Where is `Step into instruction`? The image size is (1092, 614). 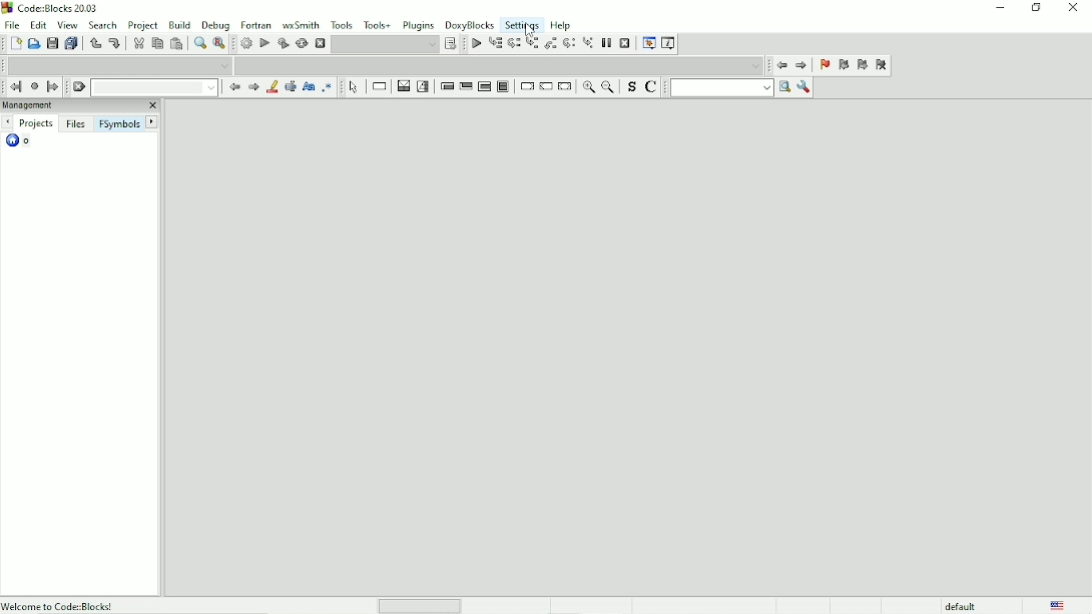
Step into instruction is located at coordinates (588, 43).